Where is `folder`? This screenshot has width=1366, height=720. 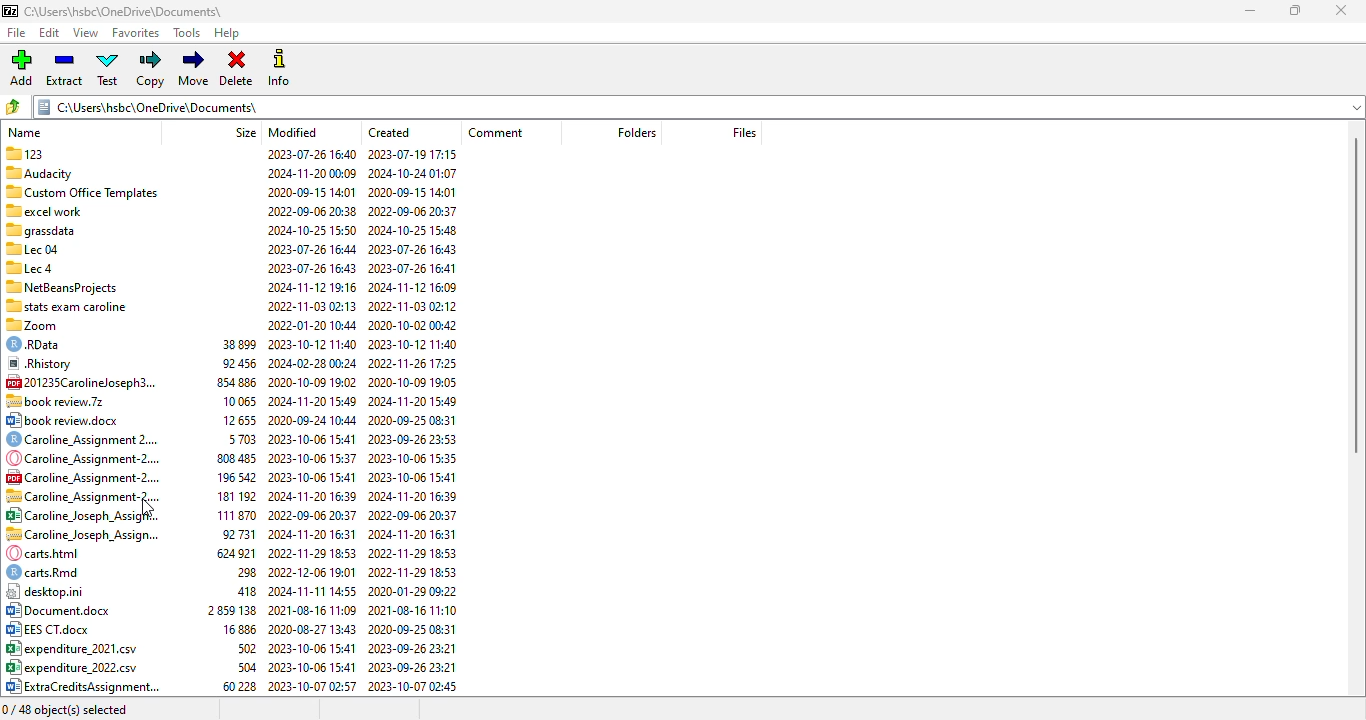 folder is located at coordinates (123, 11).